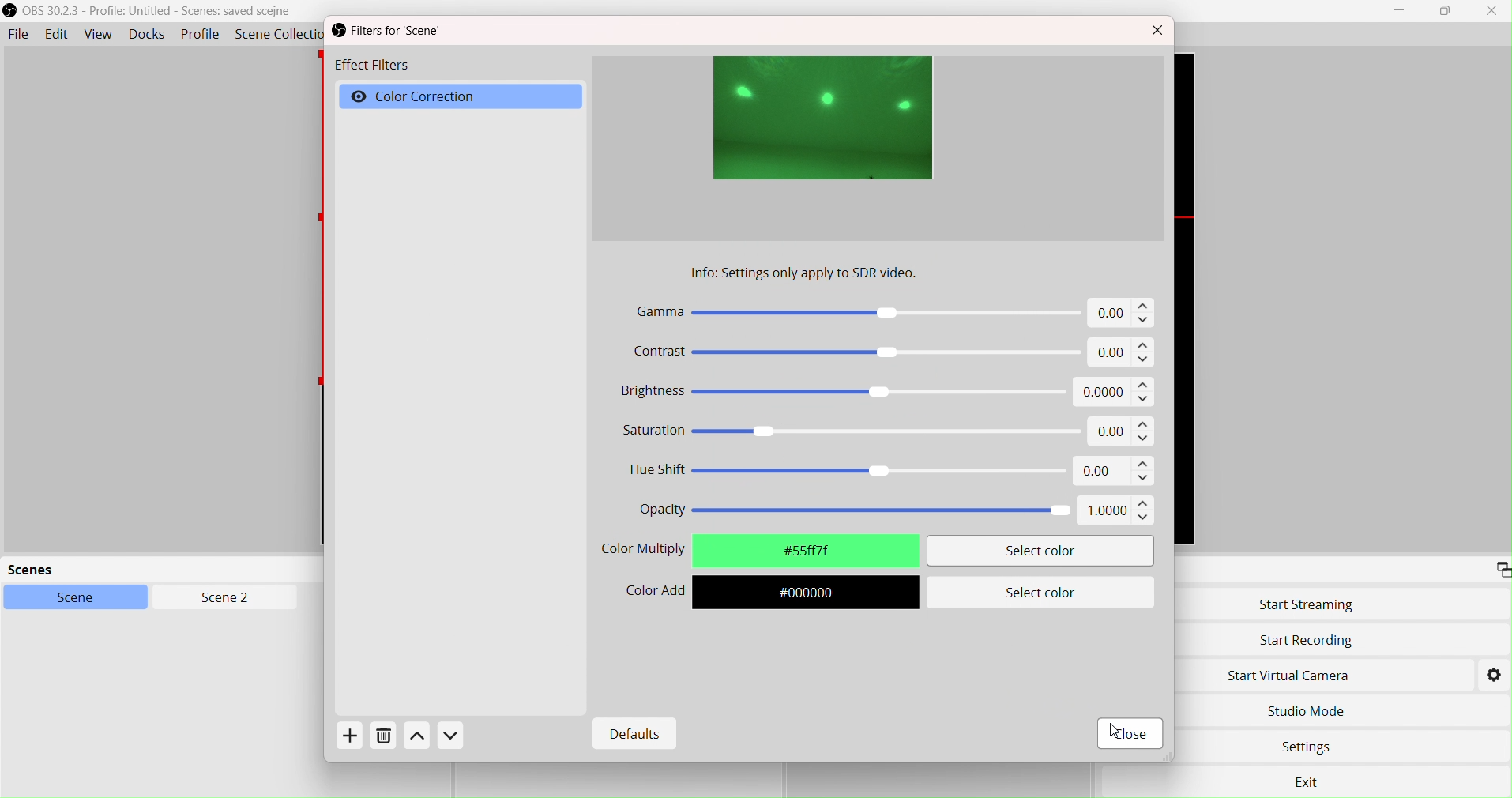 This screenshot has height=798, width=1512. What do you see at coordinates (852, 429) in the screenshot?
I see `Saturation «` at bounding box center [852, 429].